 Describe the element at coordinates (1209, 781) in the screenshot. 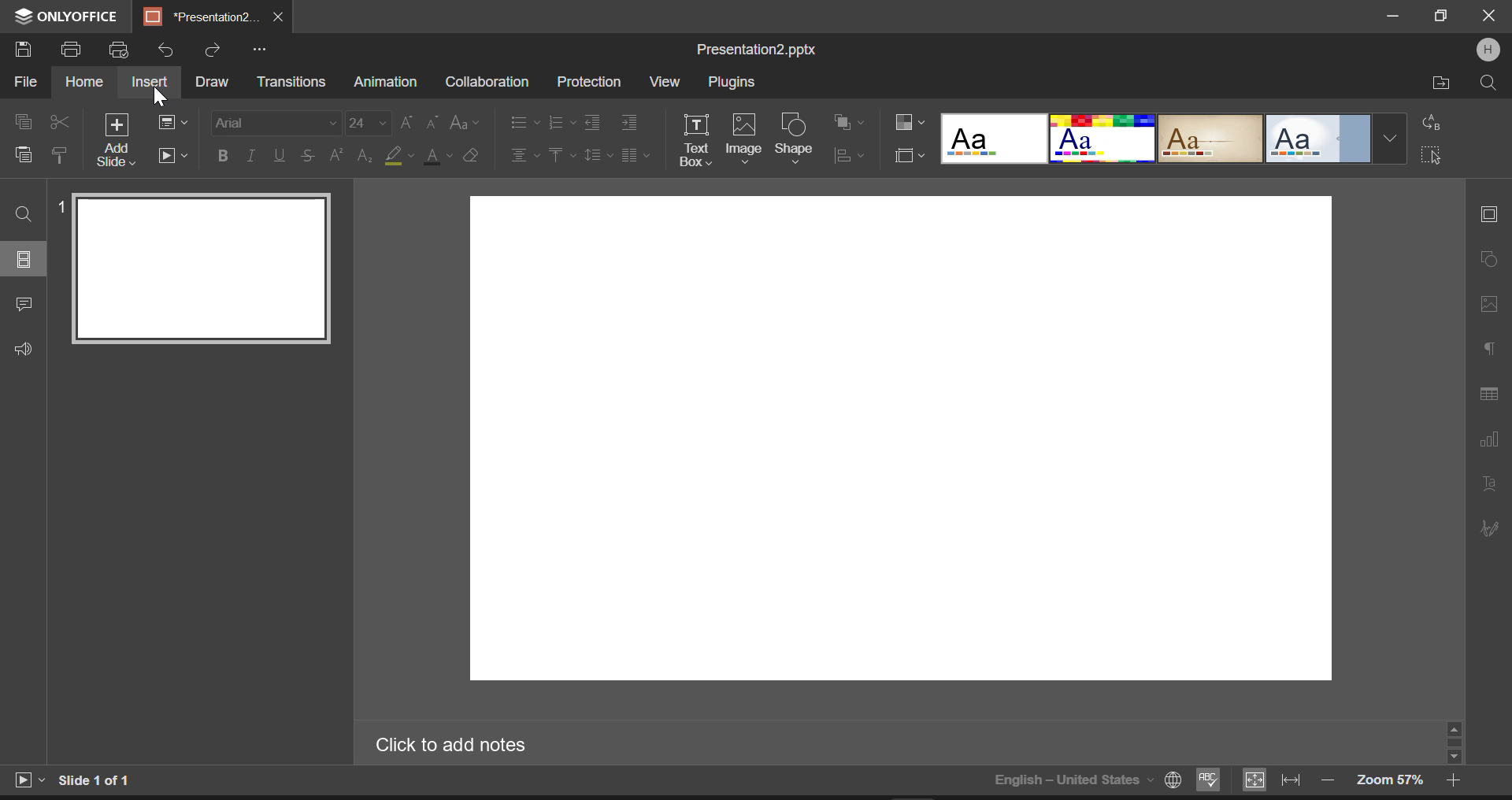

I see `Spellchecking` at that location.